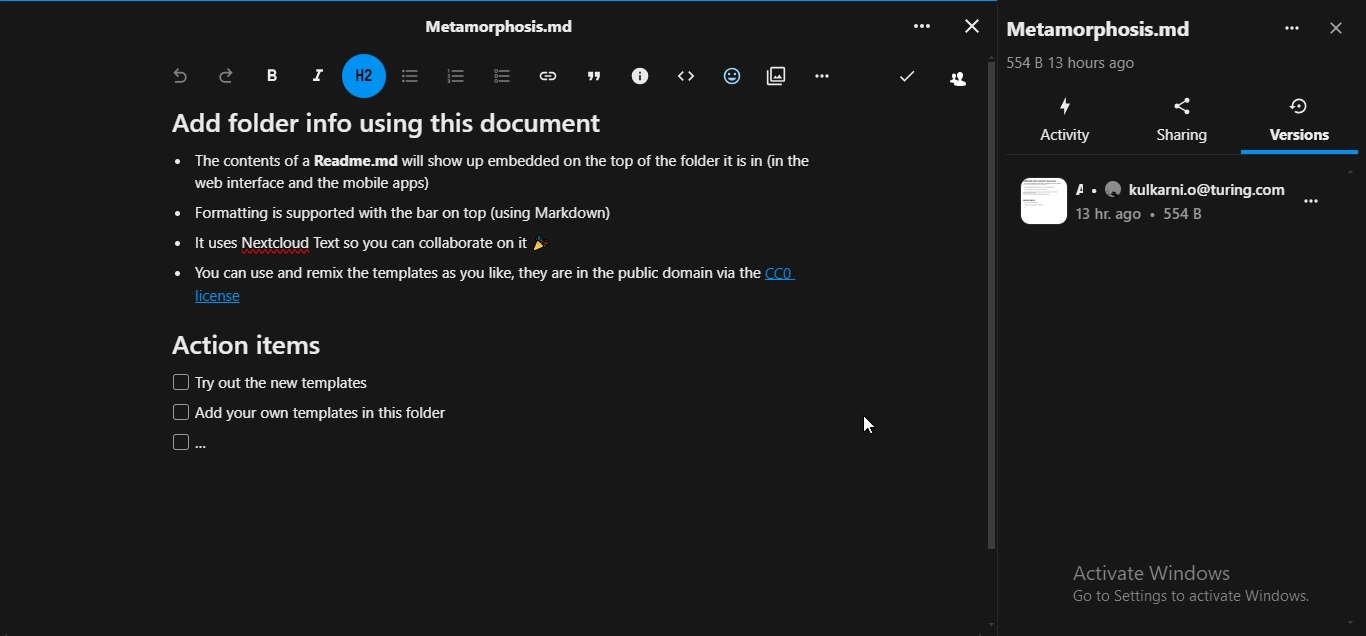  What do you see at coordinates (681, 76) in the screenshot?
I see `block` at bounding box center [681, 76].